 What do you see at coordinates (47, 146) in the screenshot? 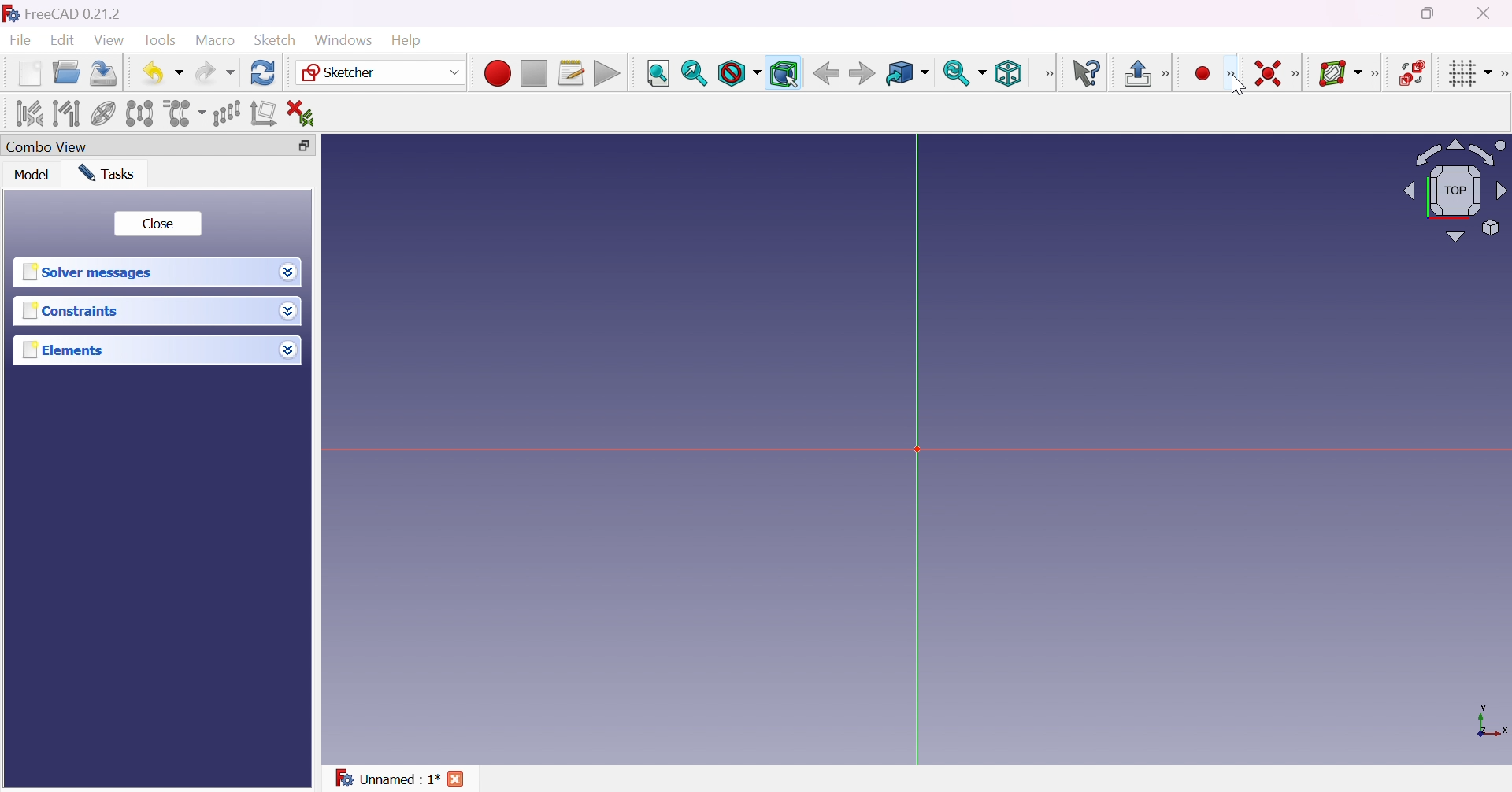
I see `Combo View` at bounding box center [47, 146].